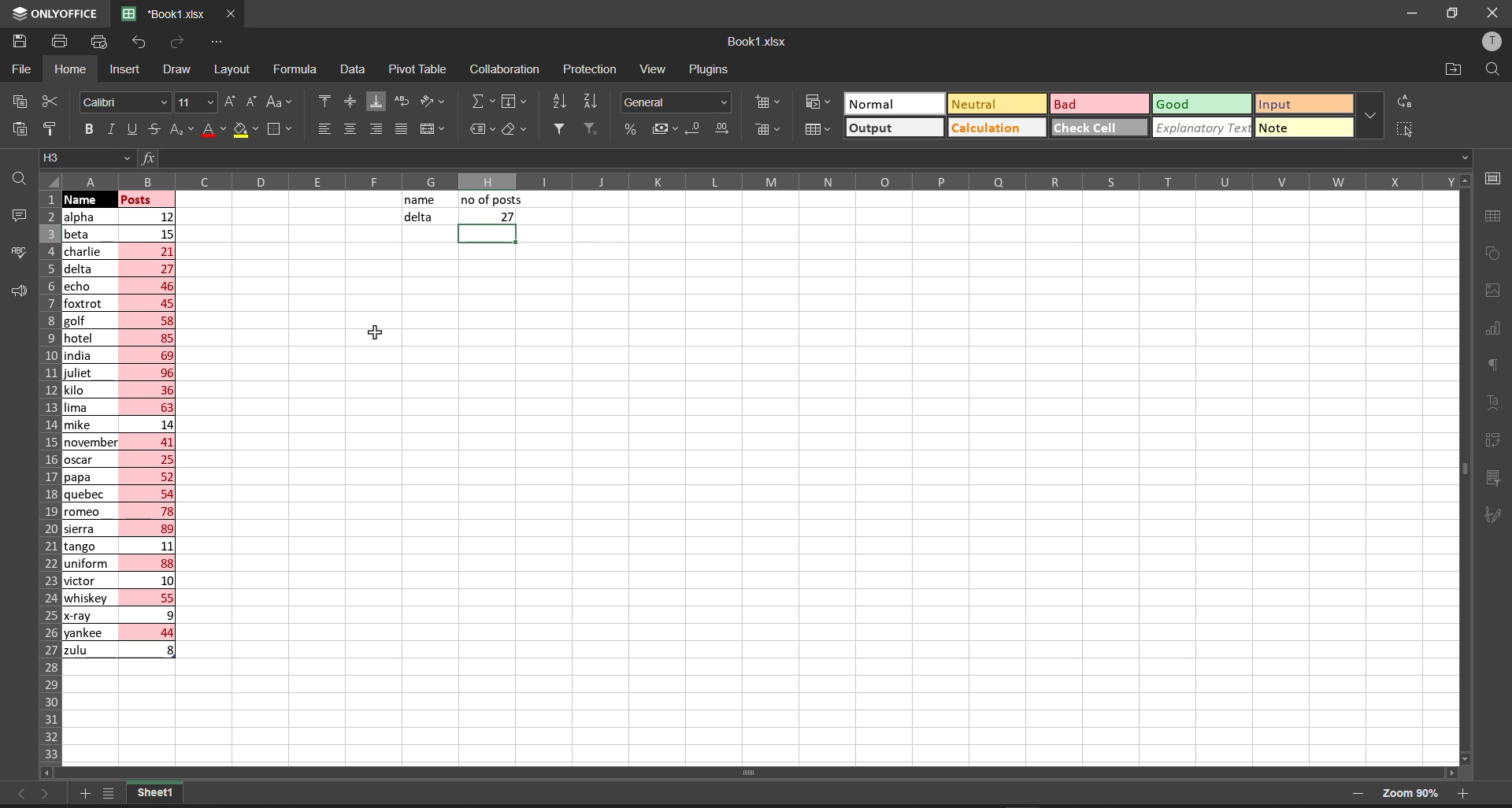  I want to click on minimize, so click(1417, 14).